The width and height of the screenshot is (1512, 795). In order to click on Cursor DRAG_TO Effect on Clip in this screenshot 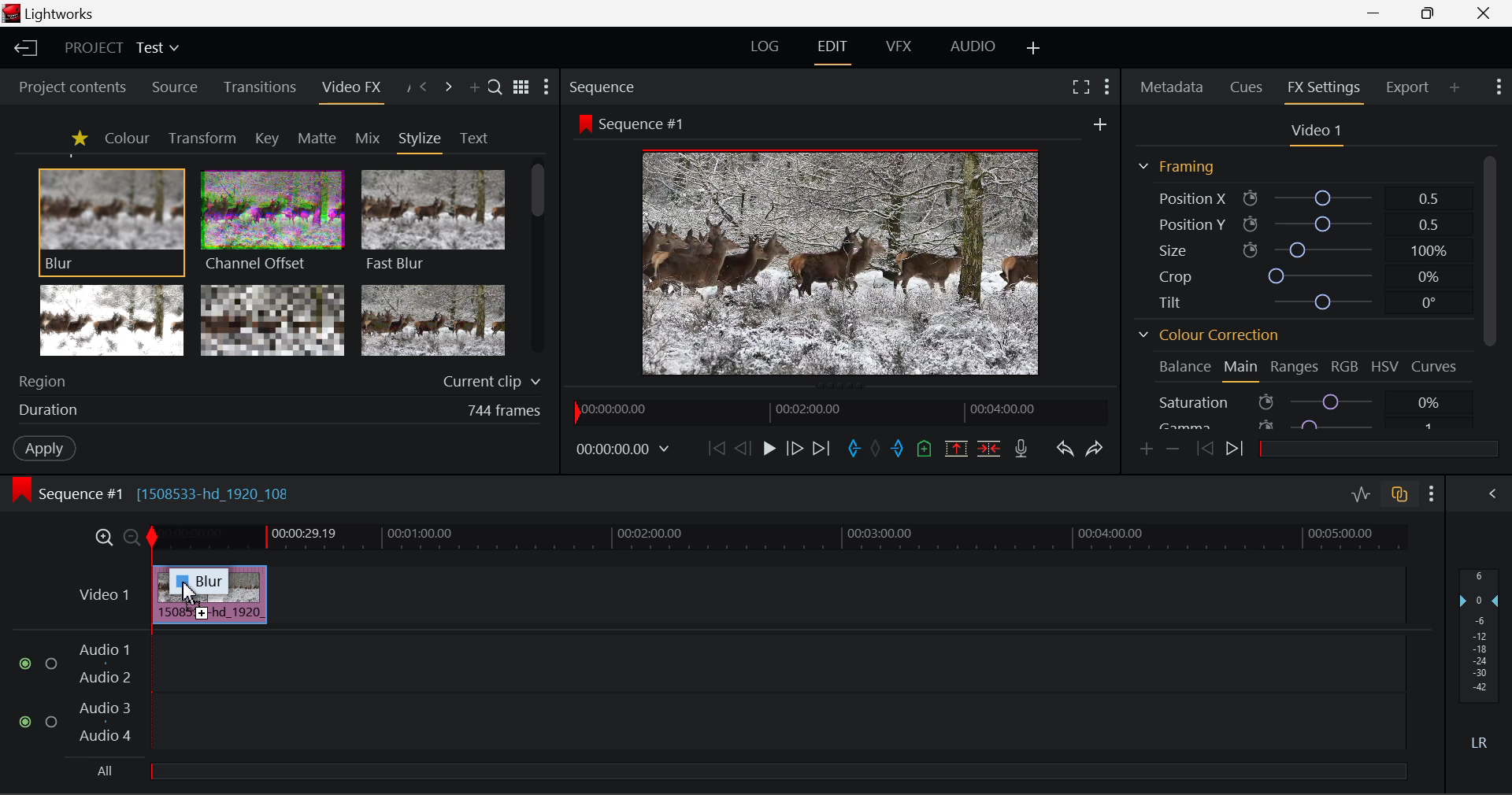, I will do `click(209, 595)`.